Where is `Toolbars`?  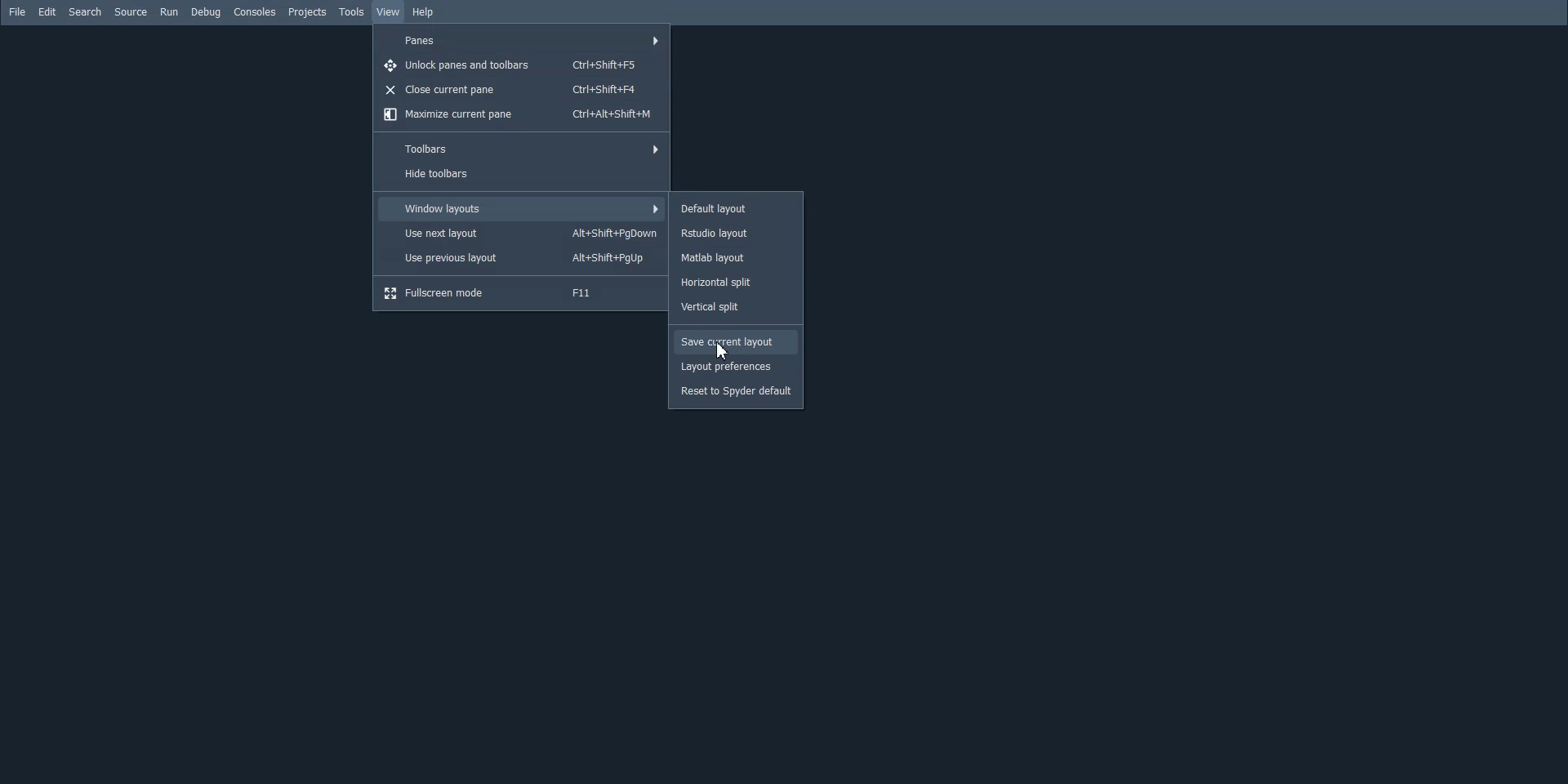 Toolbars is located at coordinates (519, 148).